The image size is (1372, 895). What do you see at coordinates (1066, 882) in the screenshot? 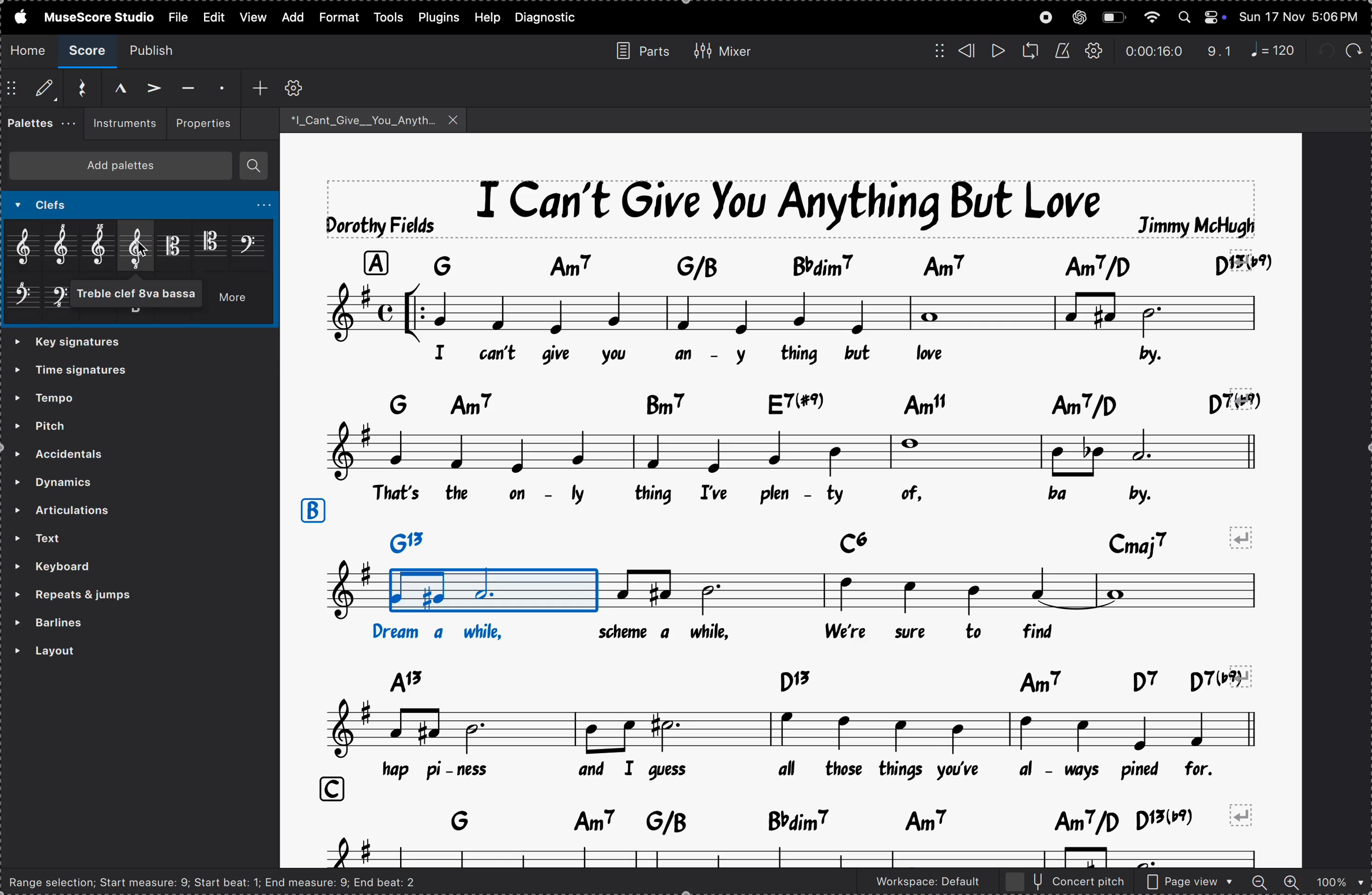
I see `concert pitch` at bounding box center [1066, 882].